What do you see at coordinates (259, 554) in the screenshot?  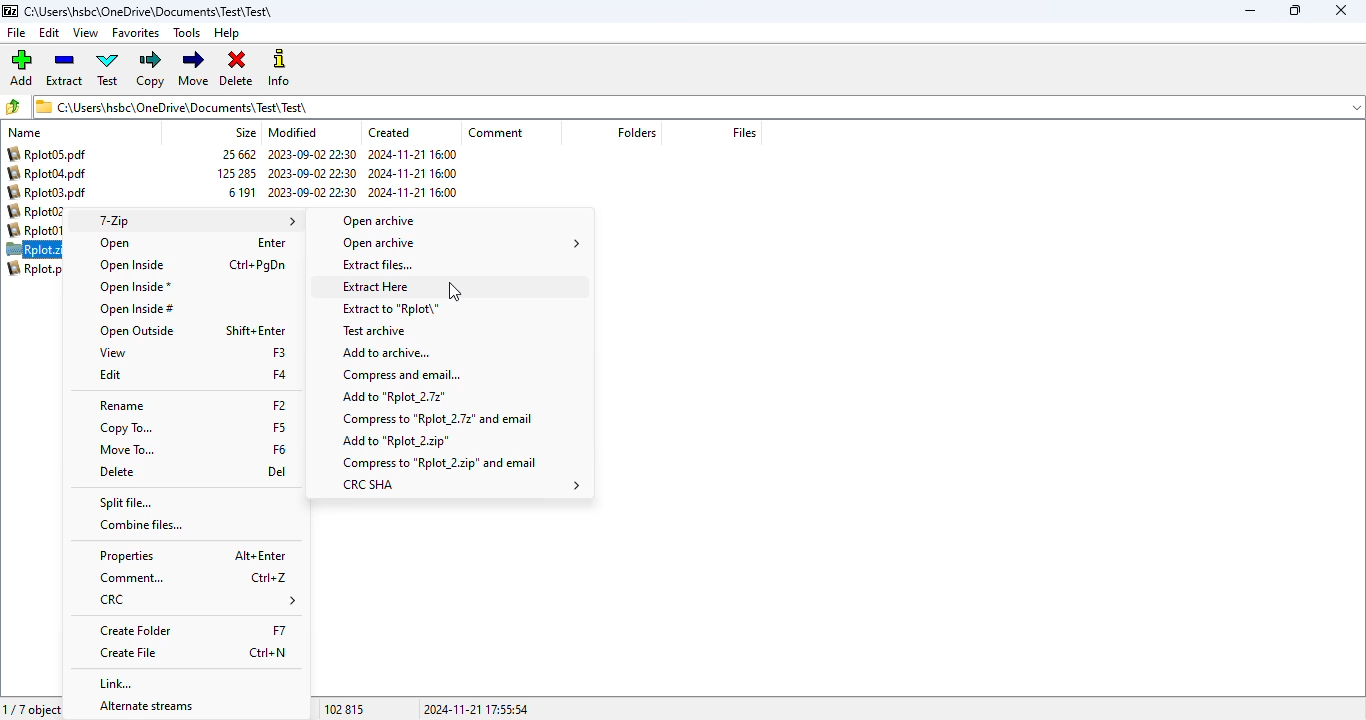 I see `Alt+Enter` at bounding box center [259, 554].